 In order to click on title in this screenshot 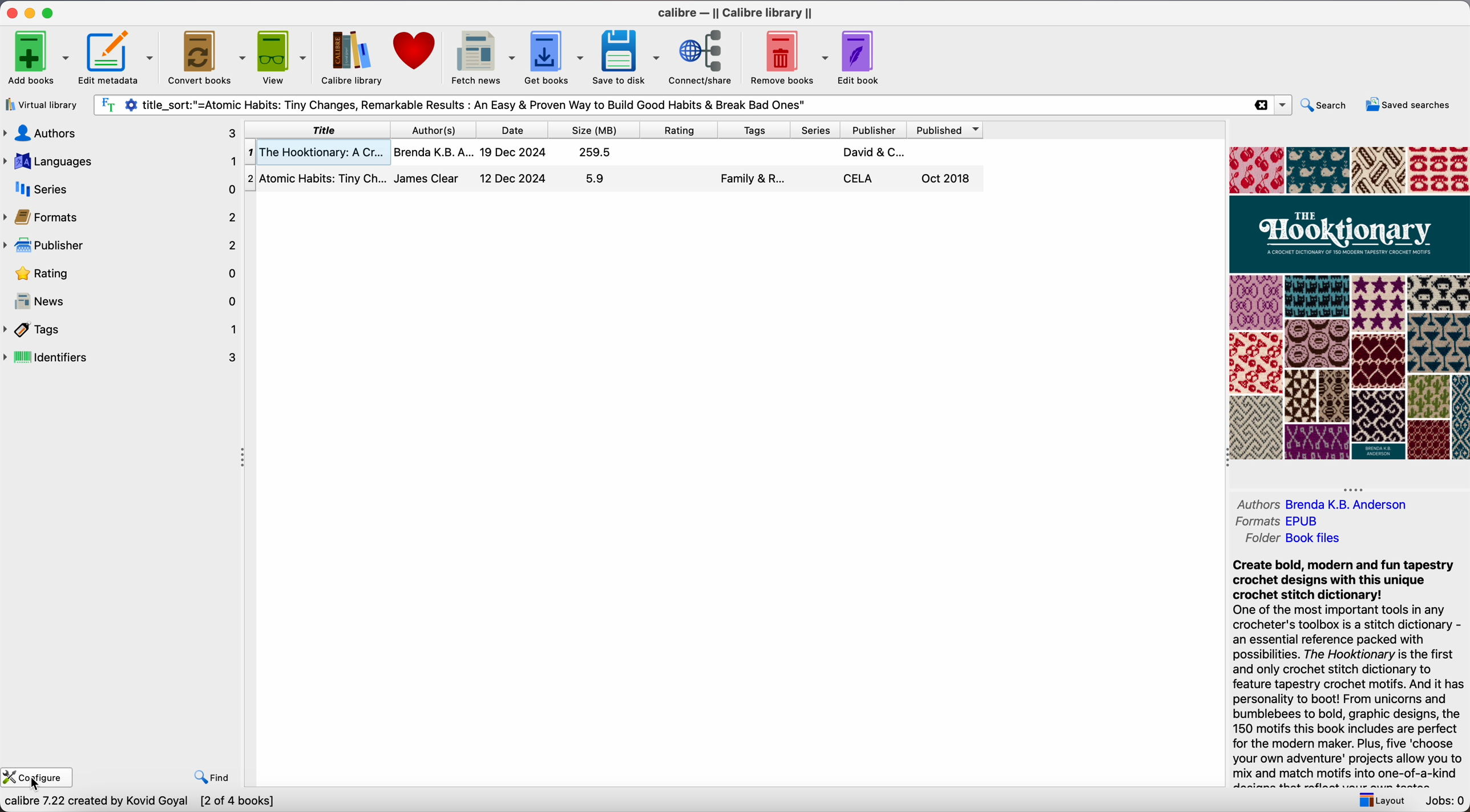, I will do `click(320, 128)`.